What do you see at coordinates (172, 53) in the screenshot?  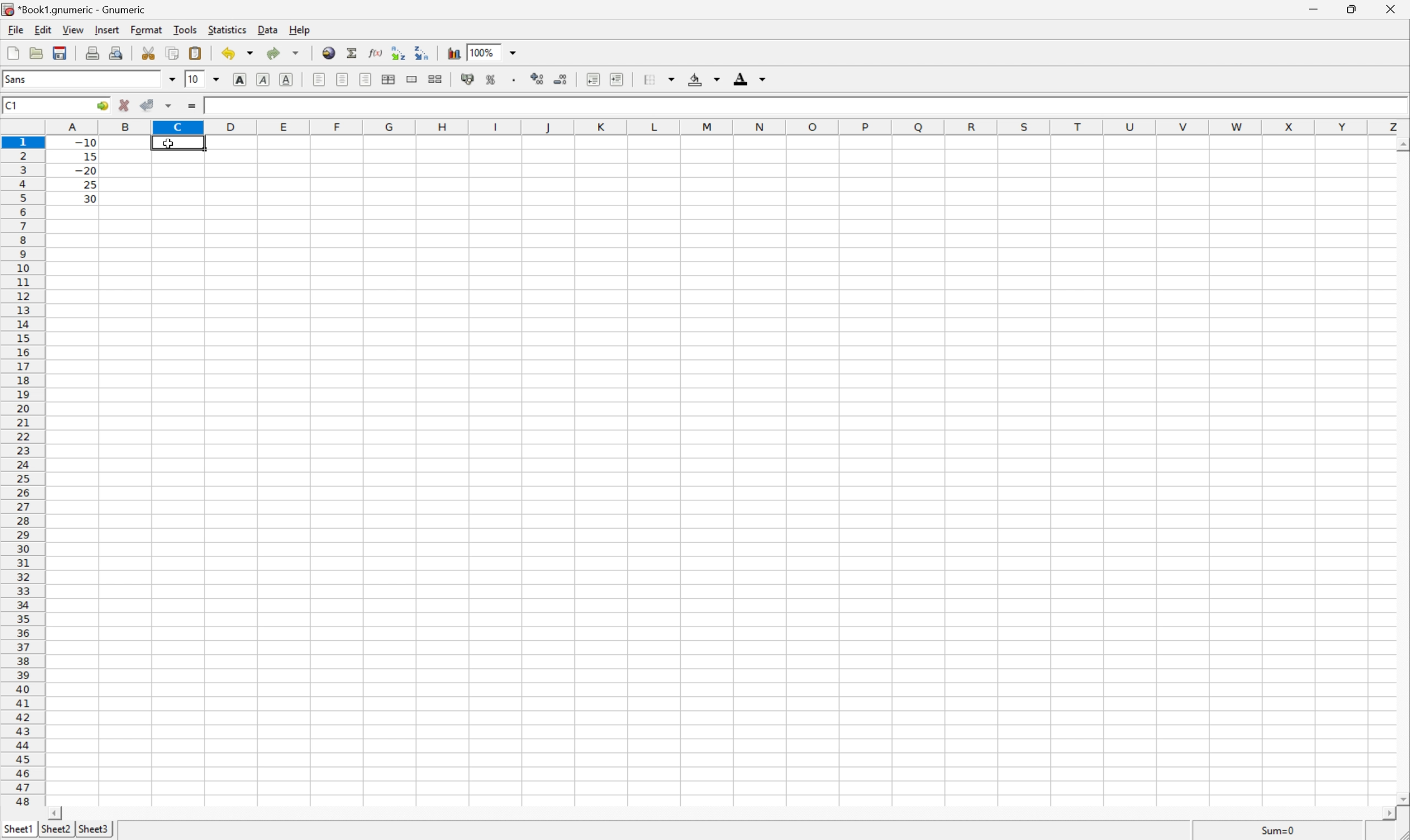 I see `Copy the selection` at bounding box center [172, 53].